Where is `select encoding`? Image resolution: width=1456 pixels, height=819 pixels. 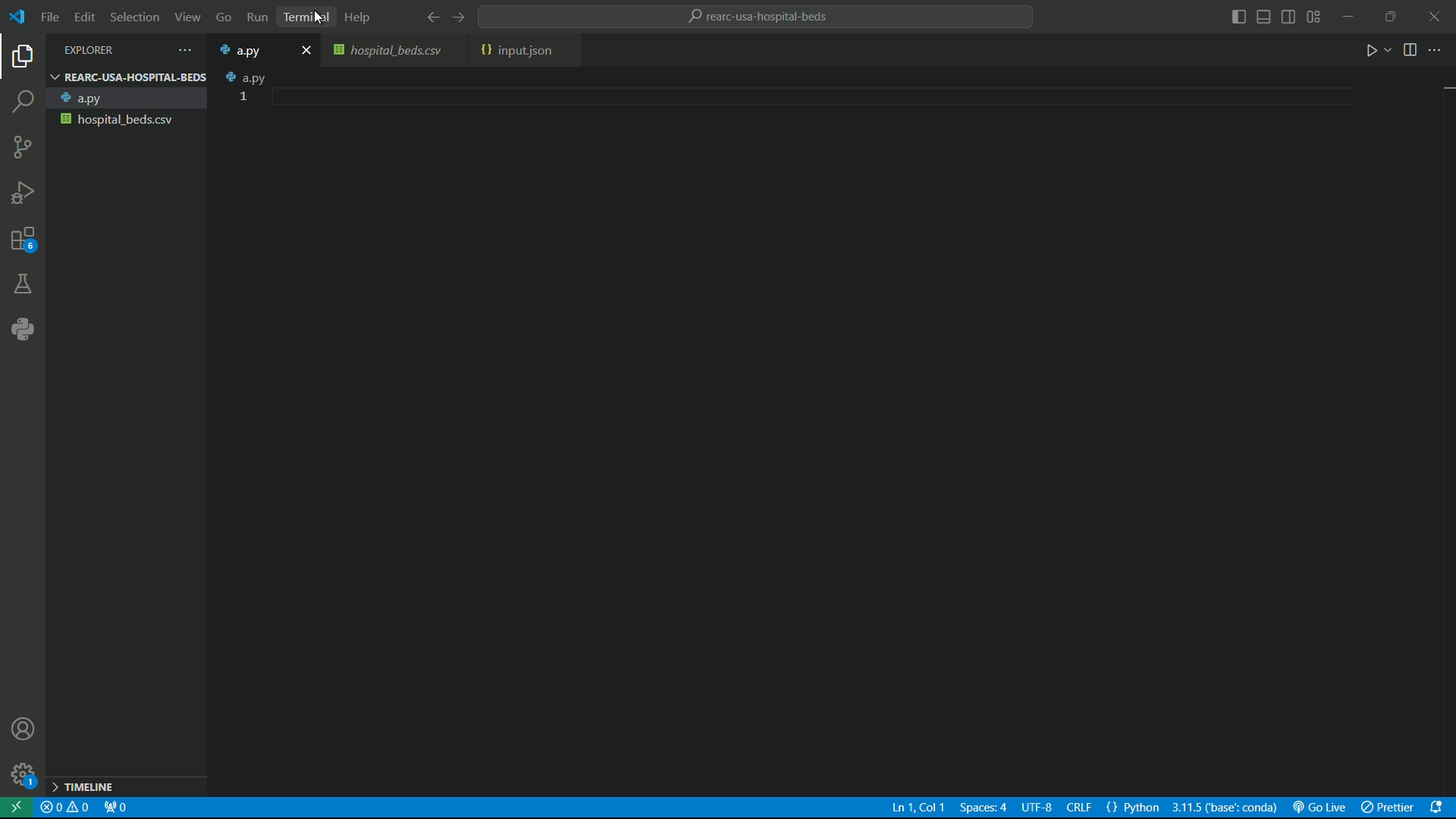
select encoding is located at coordinates (1036, 809).